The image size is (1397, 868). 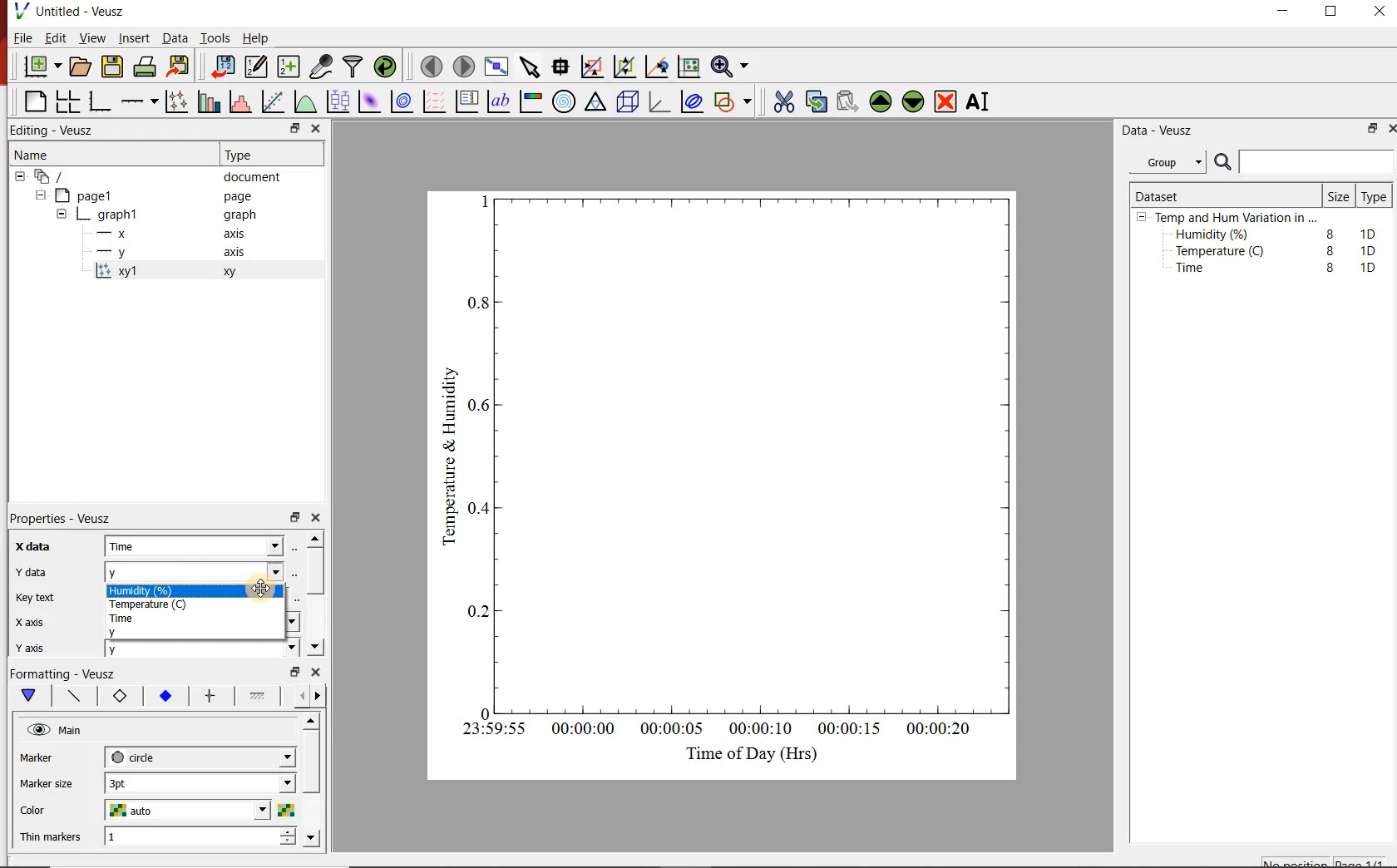 I want to click on View, so click(x=92, y=38).